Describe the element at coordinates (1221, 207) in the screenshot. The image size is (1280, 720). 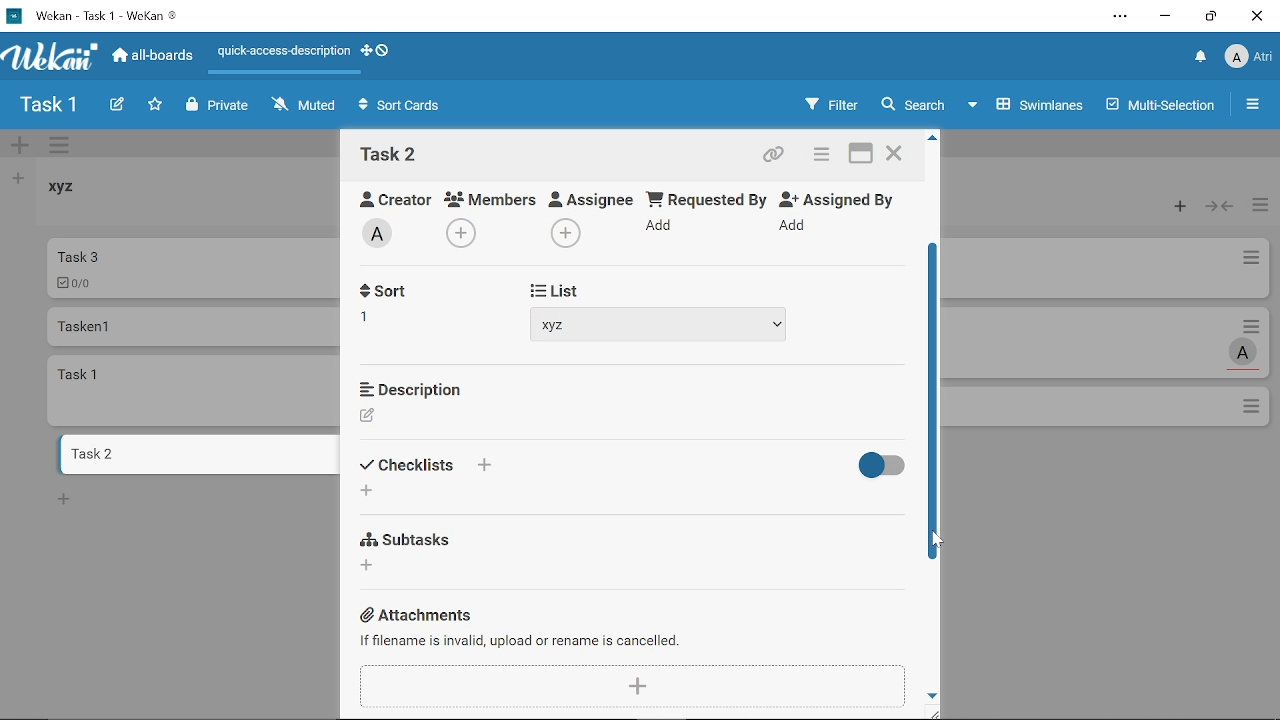
I see `Collapse` at that location.